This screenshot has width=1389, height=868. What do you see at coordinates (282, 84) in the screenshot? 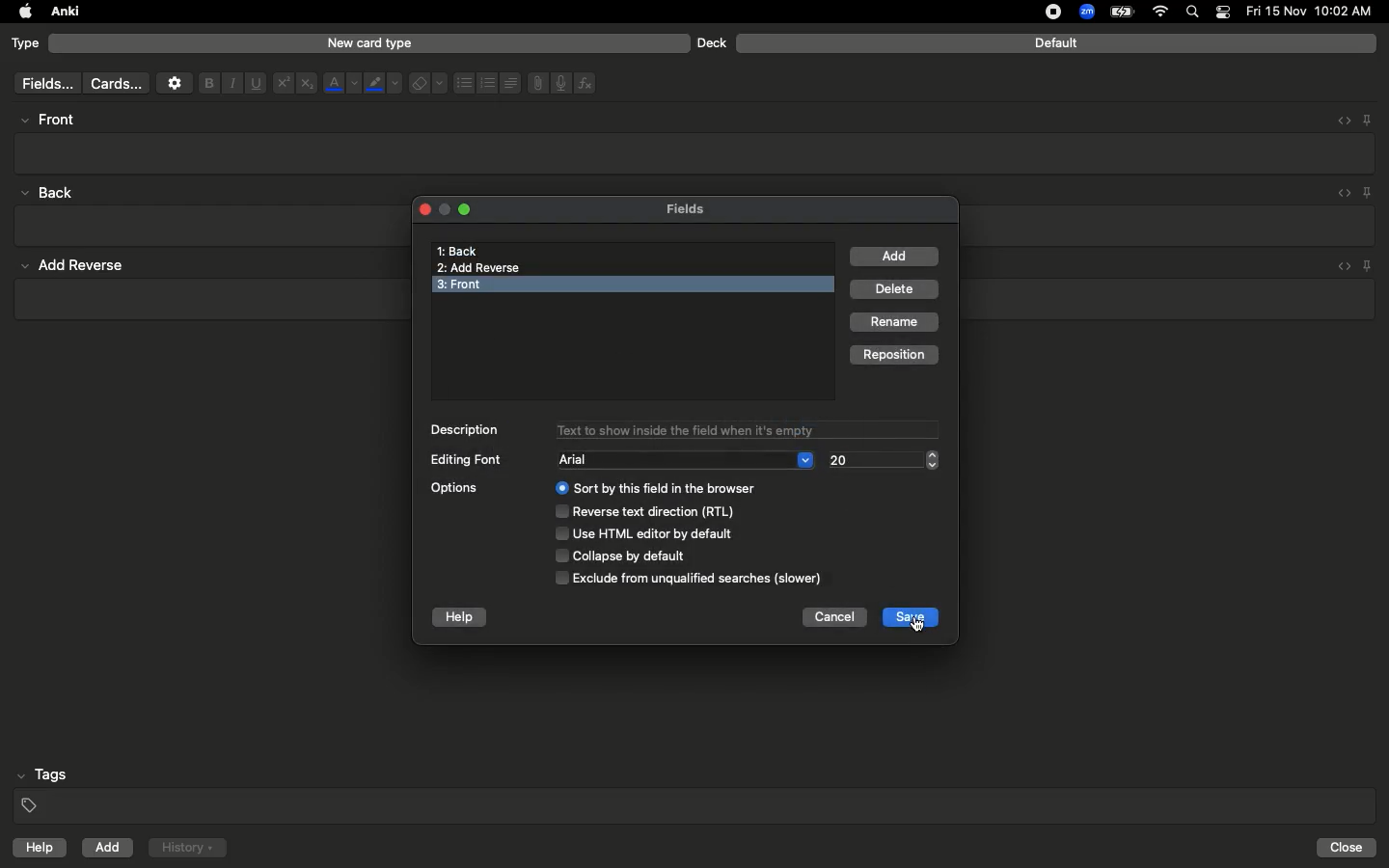
I see `Superscript` at bounding box center [282, 84].